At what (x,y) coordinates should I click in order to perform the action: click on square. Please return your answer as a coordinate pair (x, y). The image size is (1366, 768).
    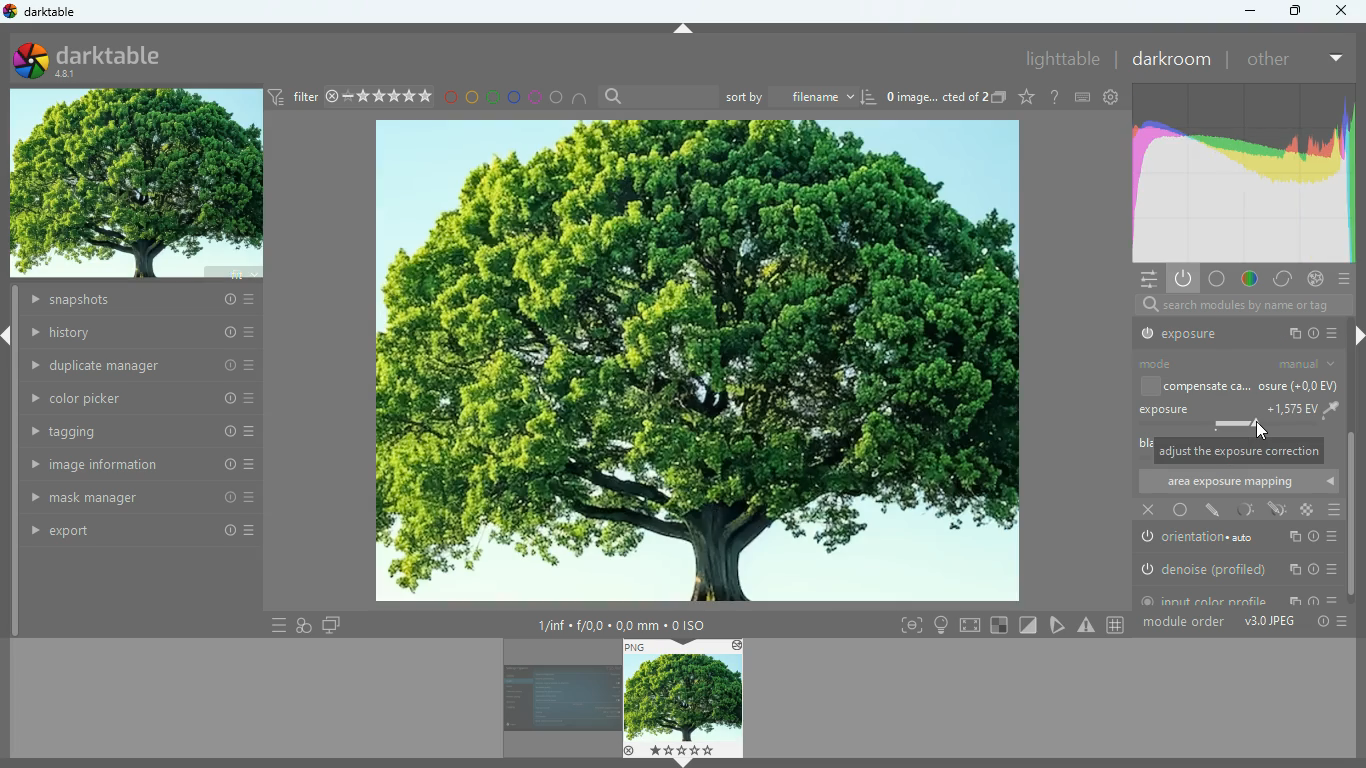
    Looking at the image, I should click on (1000, 624).